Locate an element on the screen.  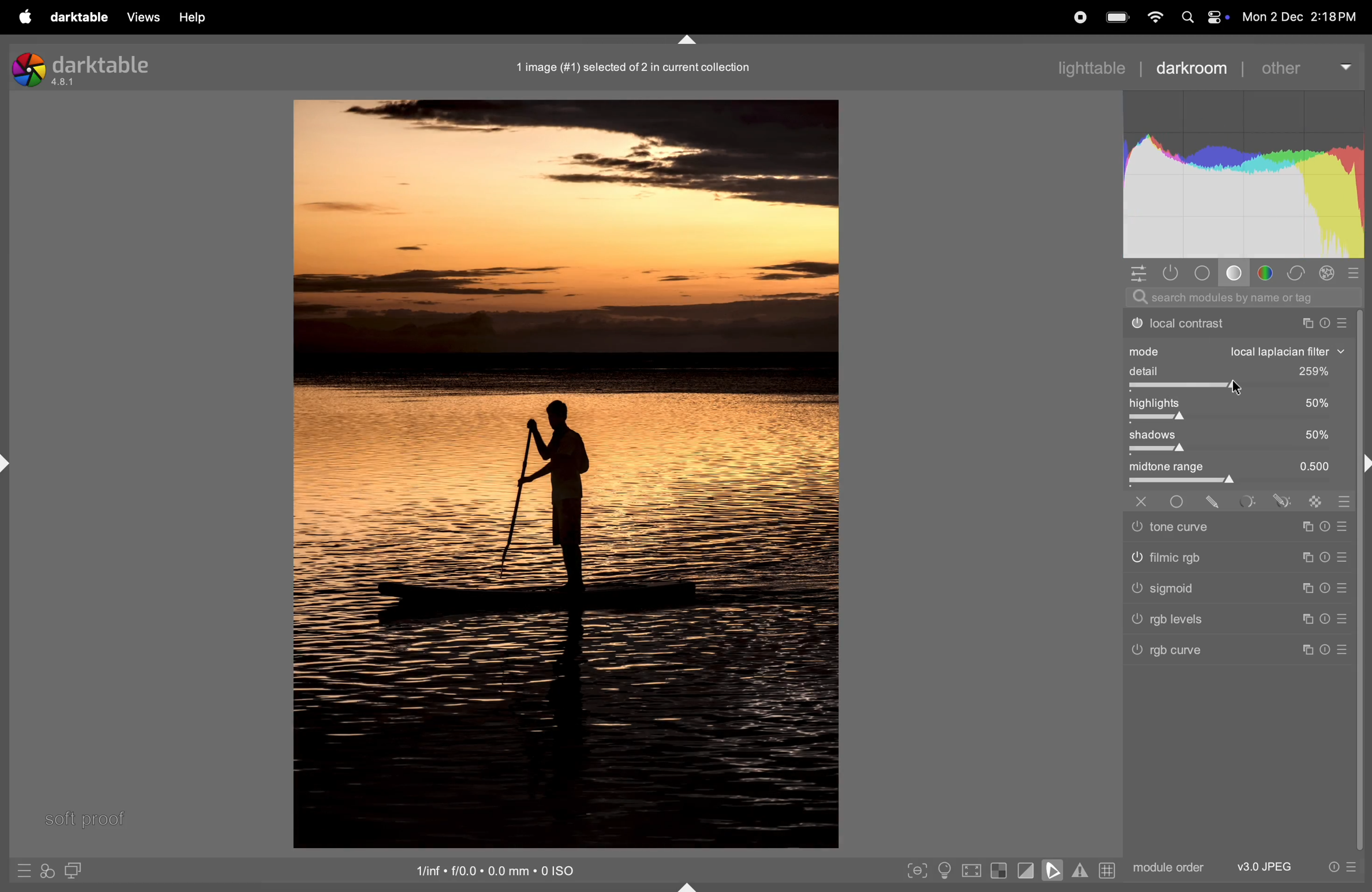
local contrast is located at coordinates (1237, 324).